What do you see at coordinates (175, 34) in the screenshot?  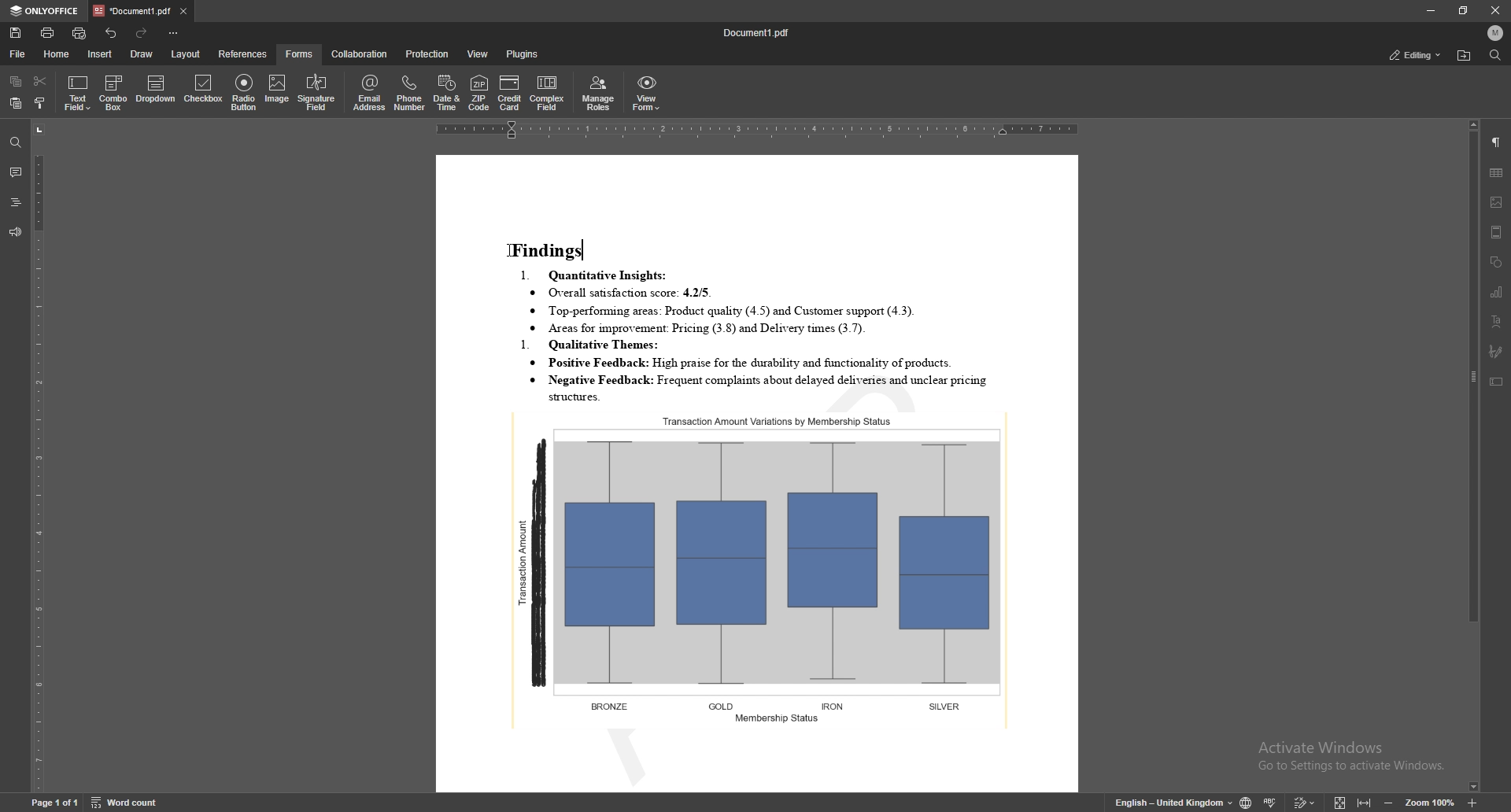 I see `customize toolbar` at bounding box center [175, 34].